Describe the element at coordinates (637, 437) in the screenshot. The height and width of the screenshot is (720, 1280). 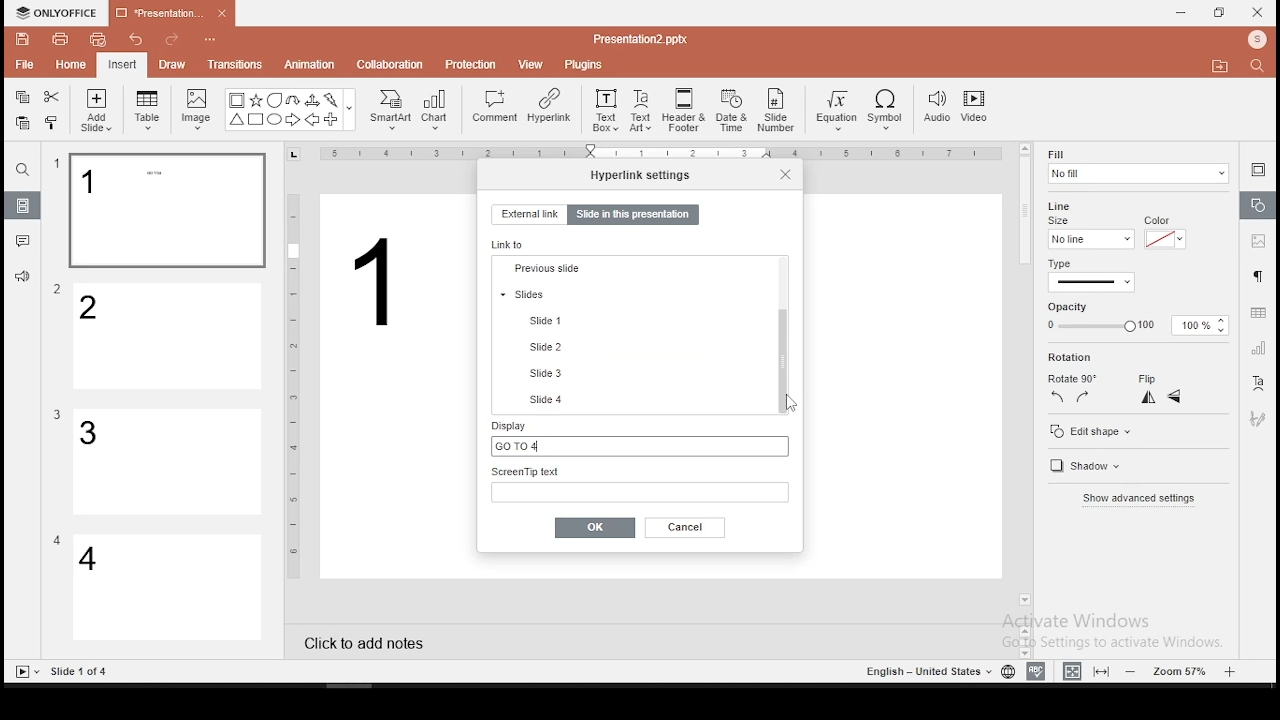
I see `display` at that location.